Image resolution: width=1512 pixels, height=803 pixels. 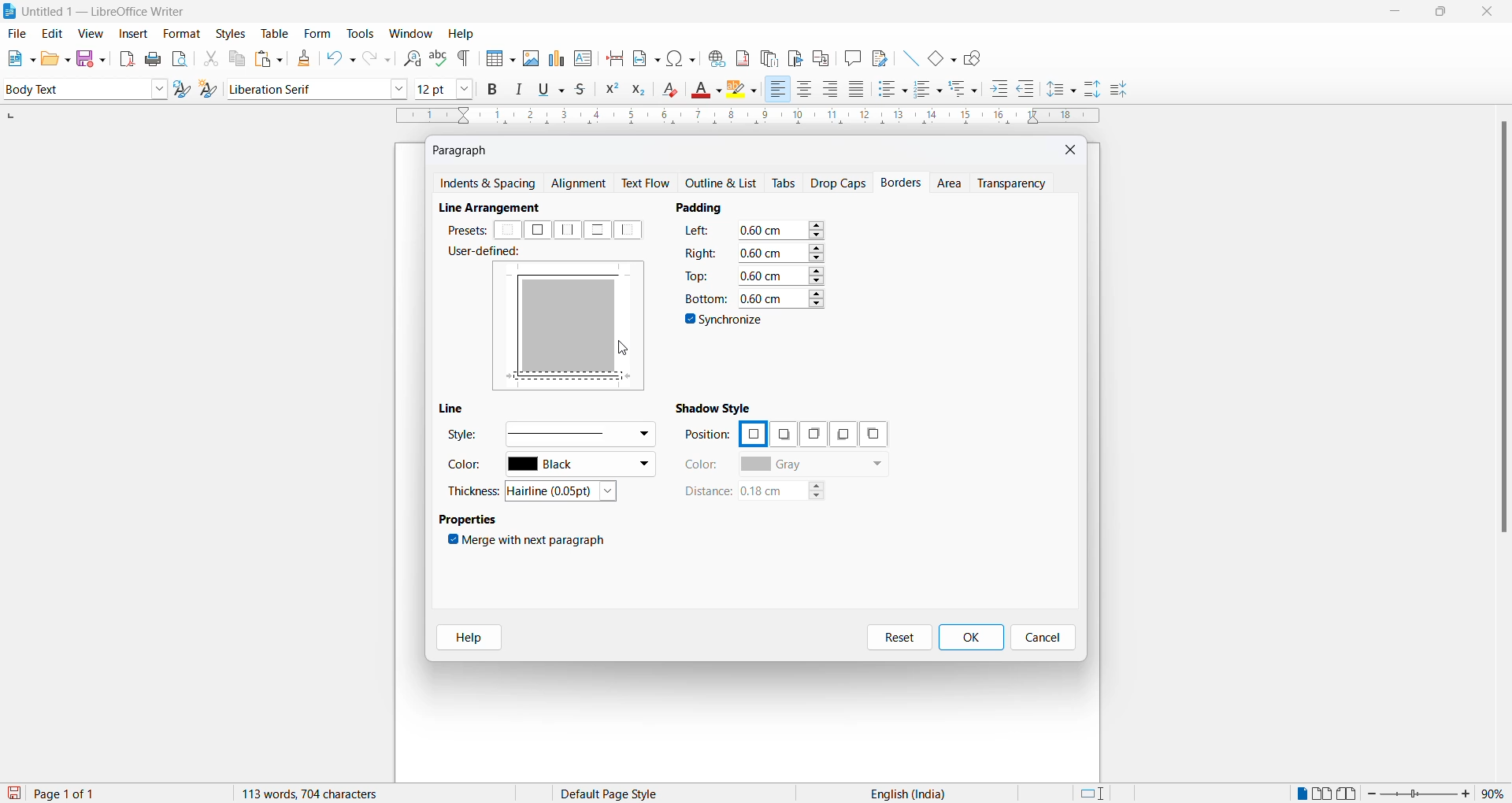 I want to click on scrollbar, so click(x=1503, y=335).